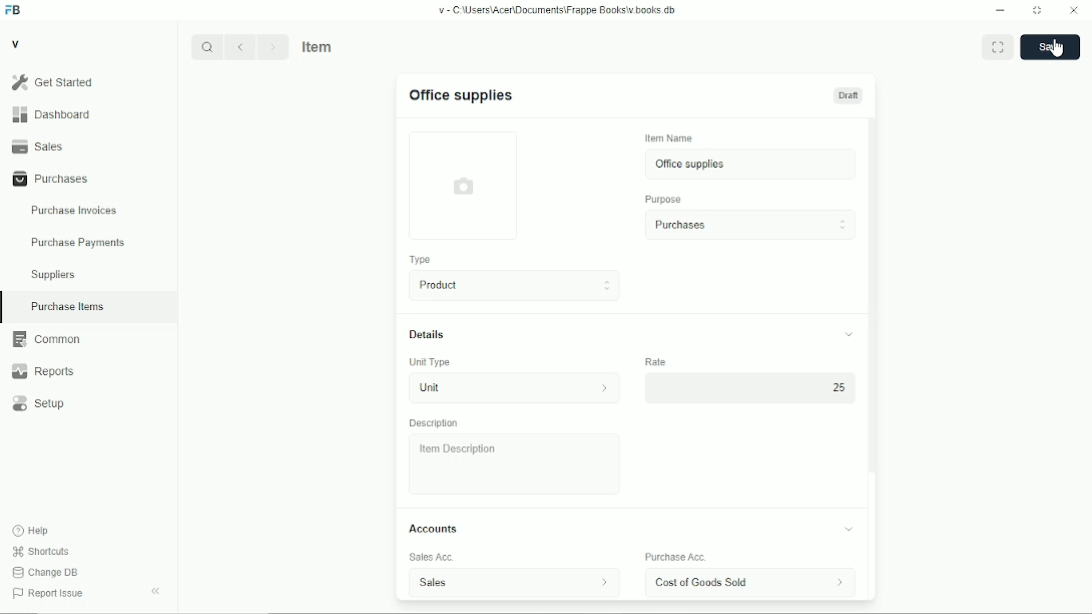  What do you see at coordinates (1051, 47) in the screenshot?
I see `save` at bounding box center [1051, 47].